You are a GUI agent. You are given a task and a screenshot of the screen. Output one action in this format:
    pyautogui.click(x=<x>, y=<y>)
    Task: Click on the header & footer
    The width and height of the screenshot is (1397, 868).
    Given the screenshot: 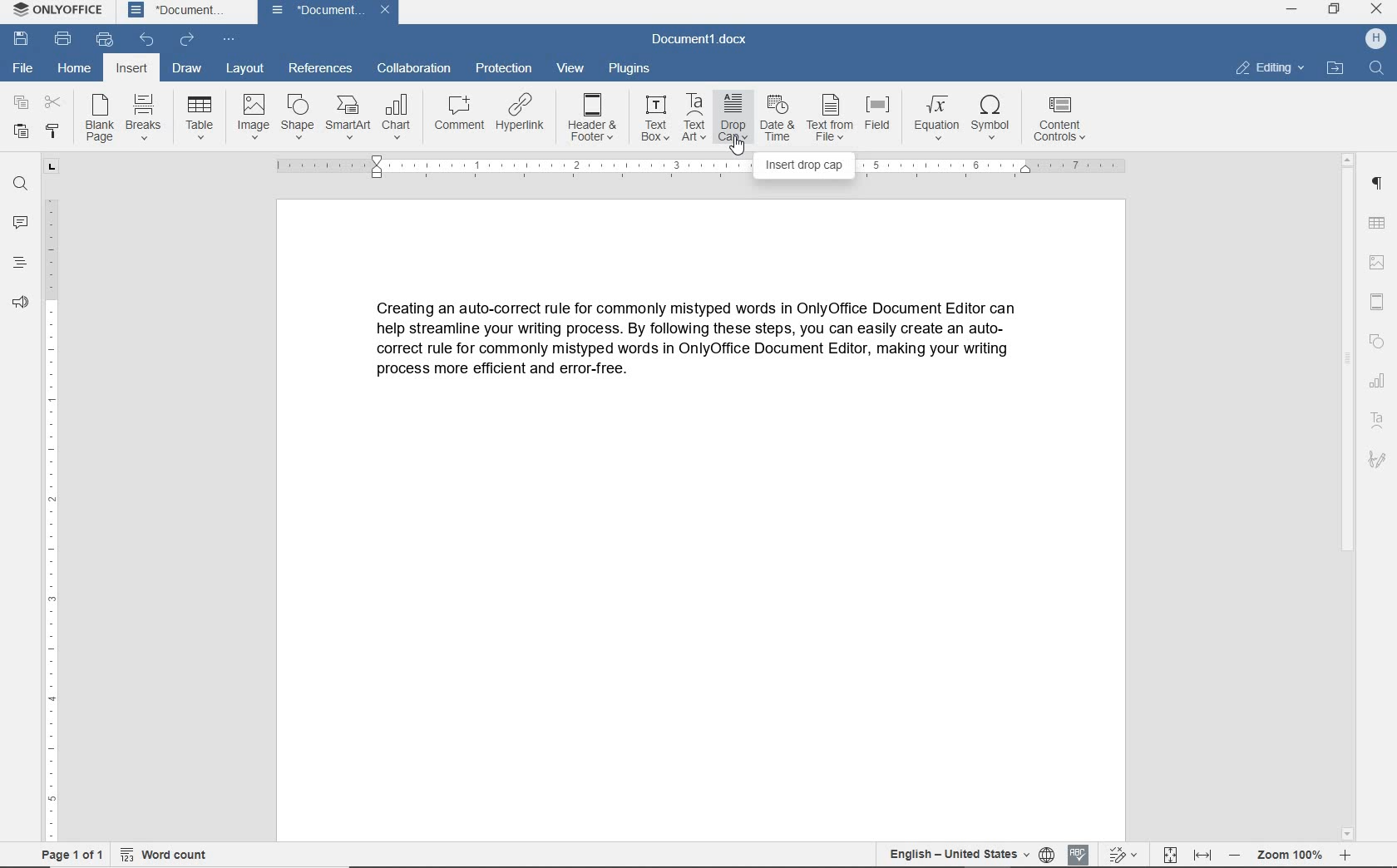 What is the action you would take?
    pyautogui.click(x=593, y=118)
    